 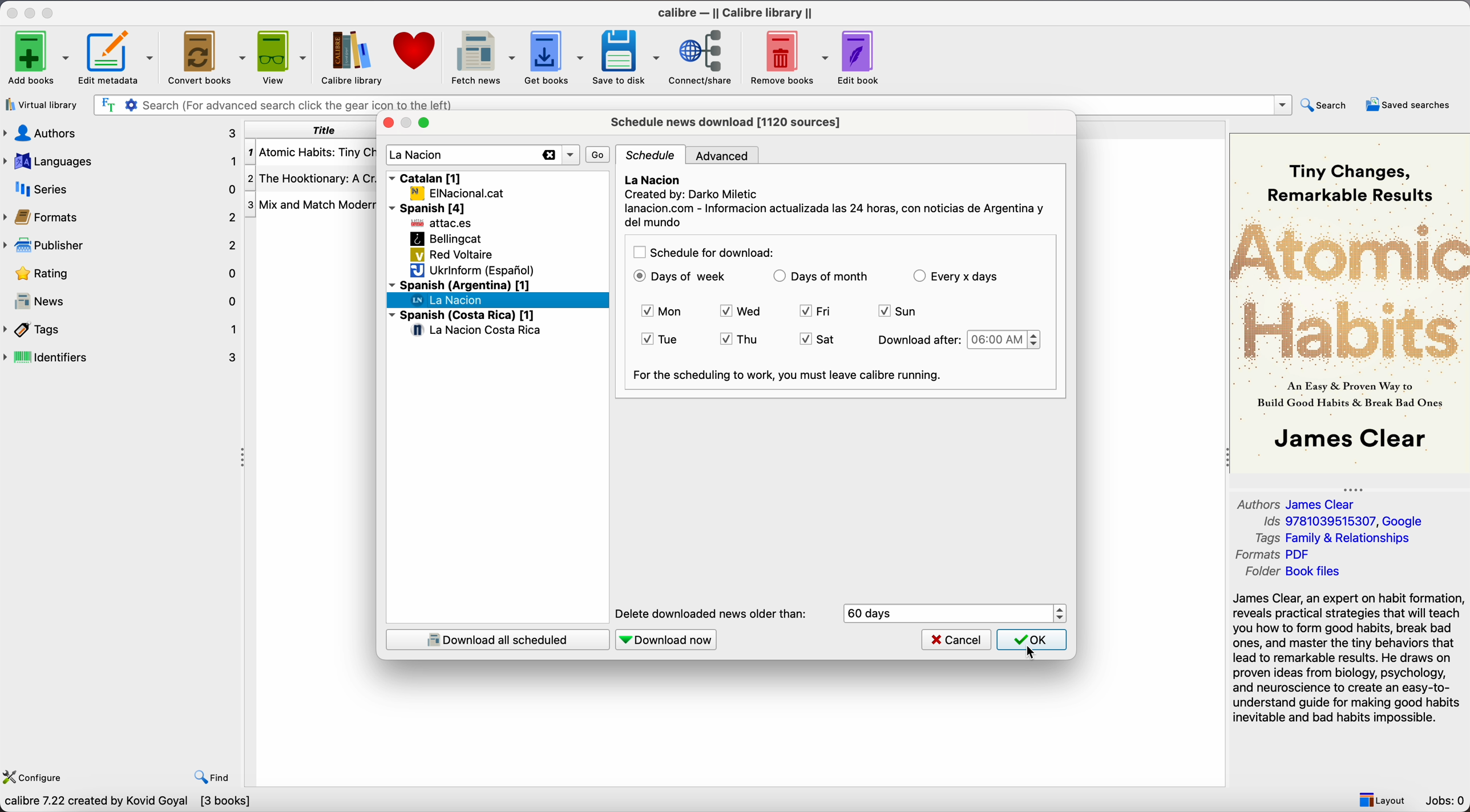 I want to click on Go, so click(x=599, y=153).